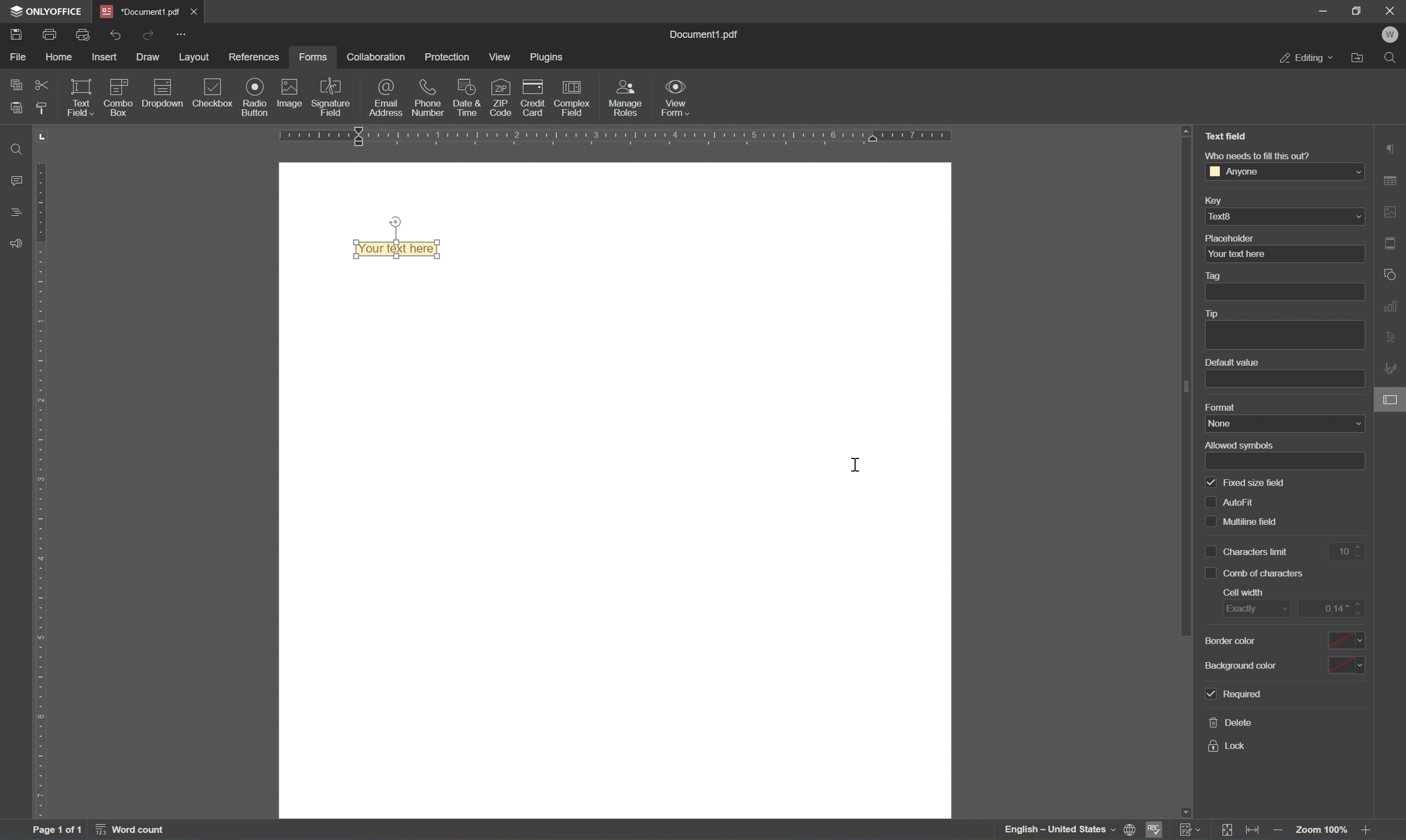 This screenshot has width=1406, height=840. I want to click on insert fixed text field, so click(149, 102).